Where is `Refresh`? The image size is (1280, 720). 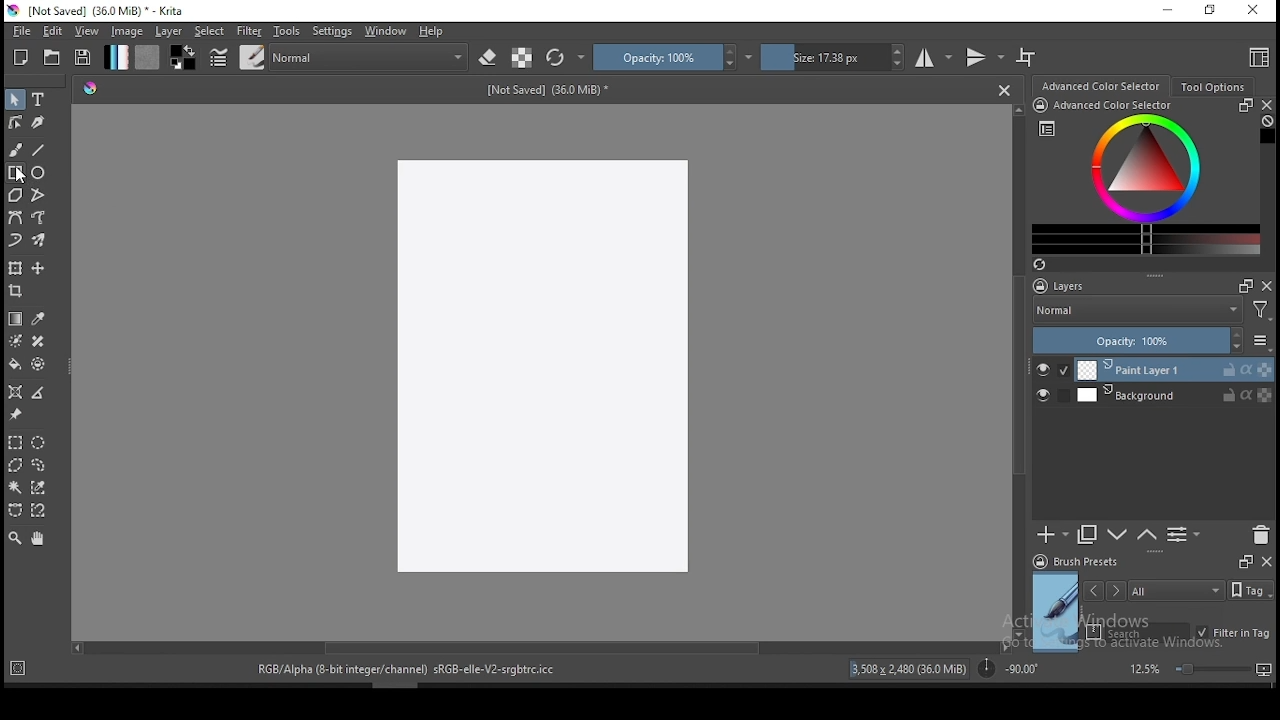
Refresh is located at coordinates (1047, 266).